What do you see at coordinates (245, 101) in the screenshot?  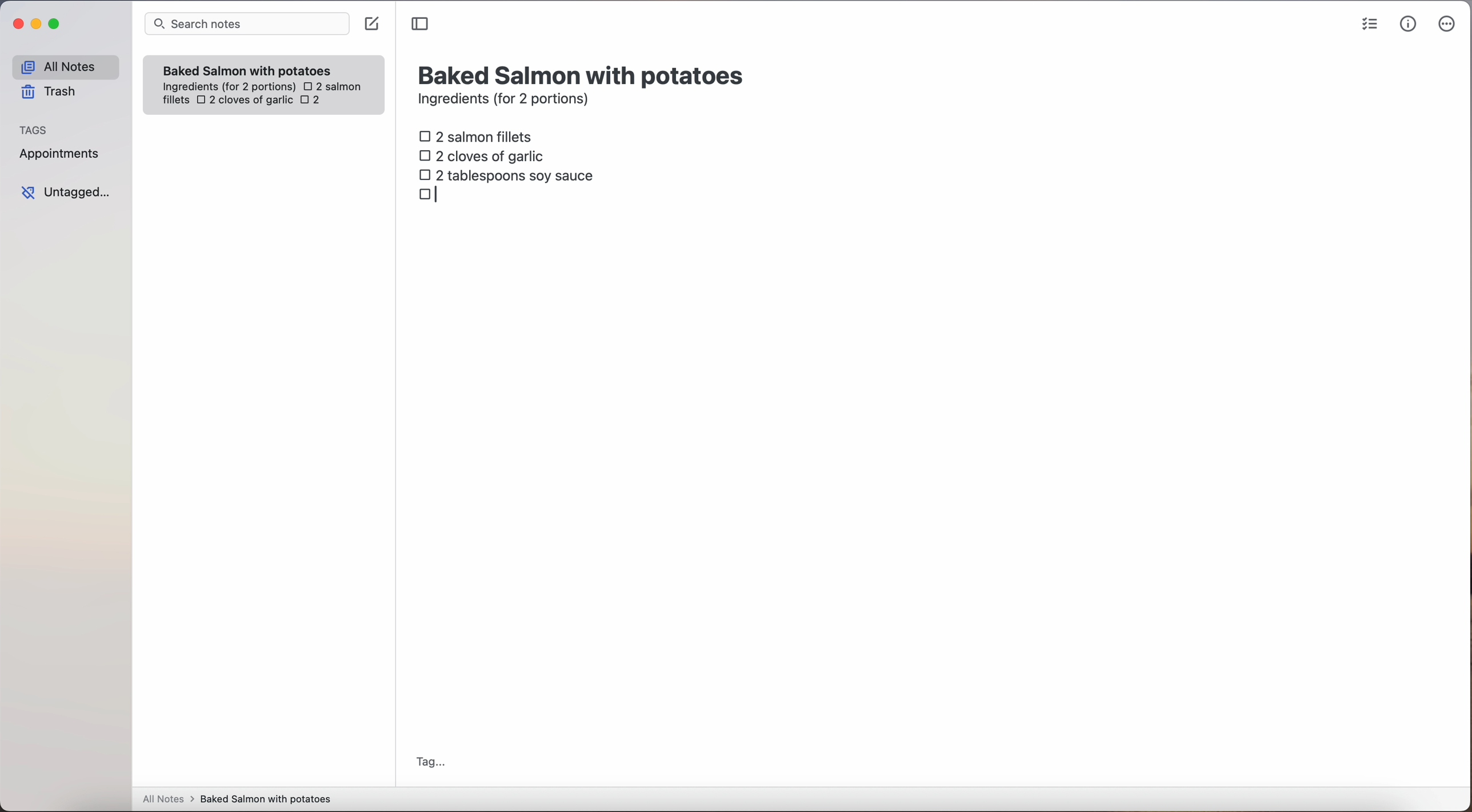 I see `2 cloves of garlic` at bounding box center [245, 101].